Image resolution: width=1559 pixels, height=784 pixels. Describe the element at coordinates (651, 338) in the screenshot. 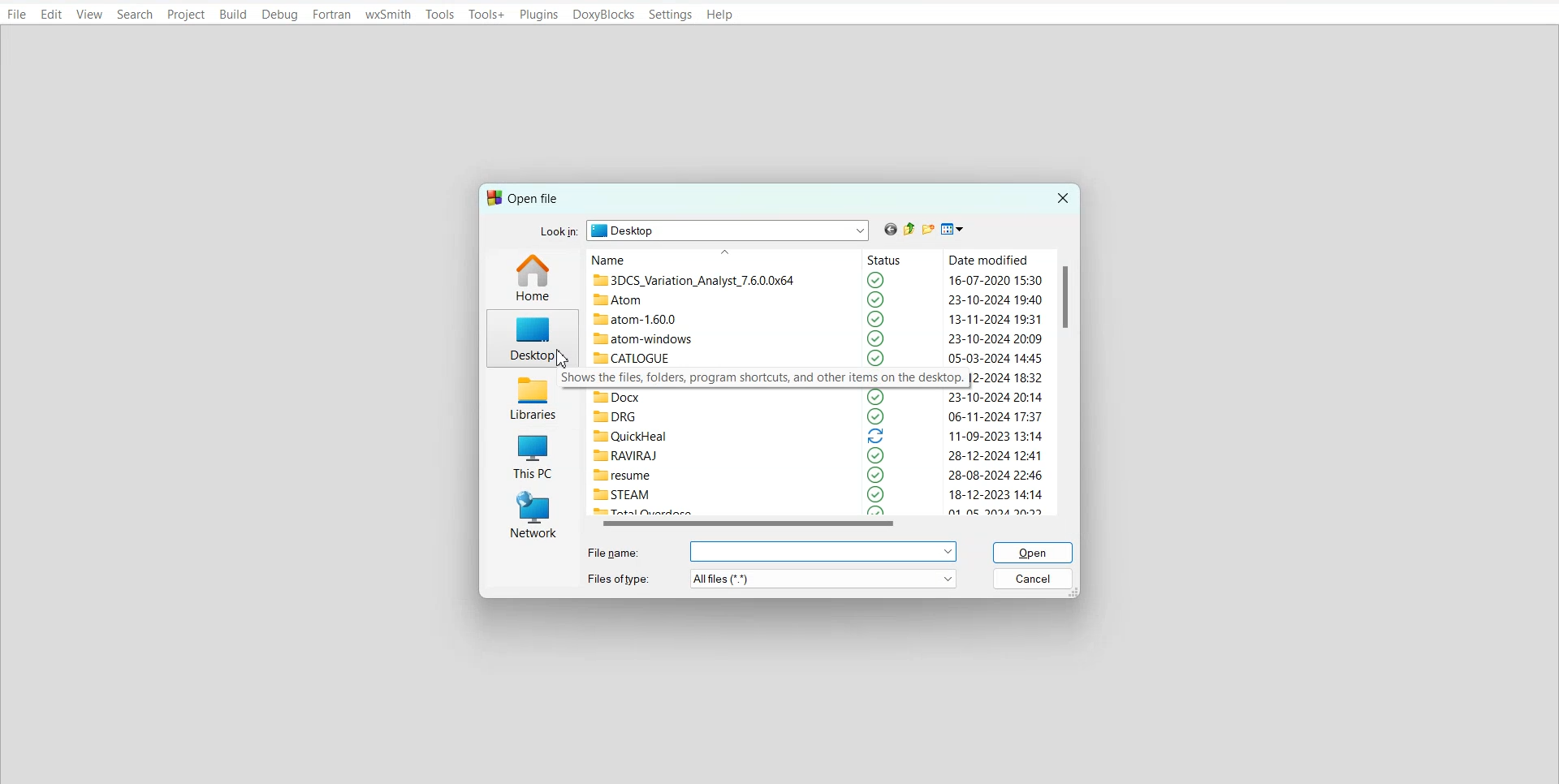

I see `atom-windows` at that location.